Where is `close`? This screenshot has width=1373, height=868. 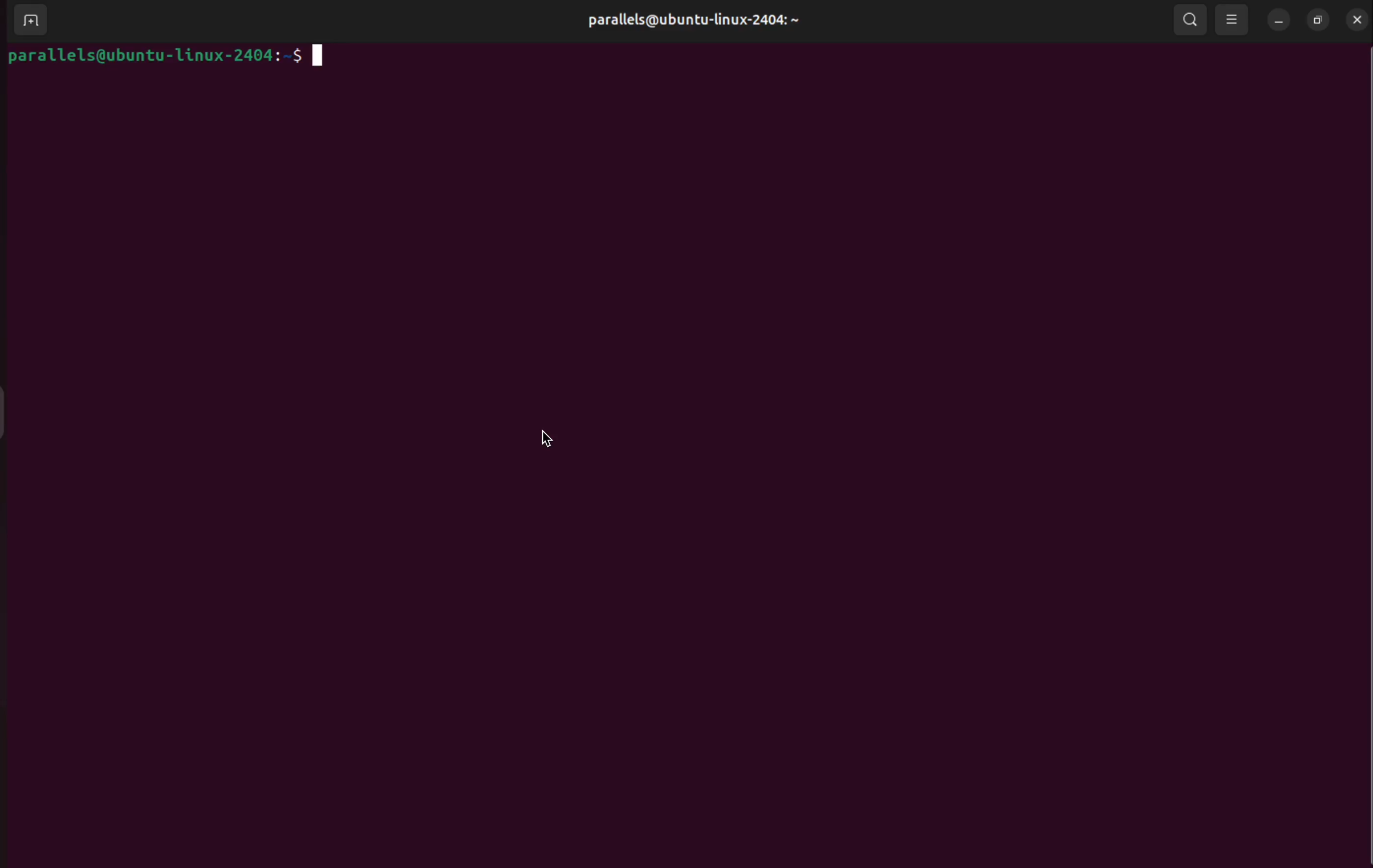 close is located at coordinates (1356, 17).